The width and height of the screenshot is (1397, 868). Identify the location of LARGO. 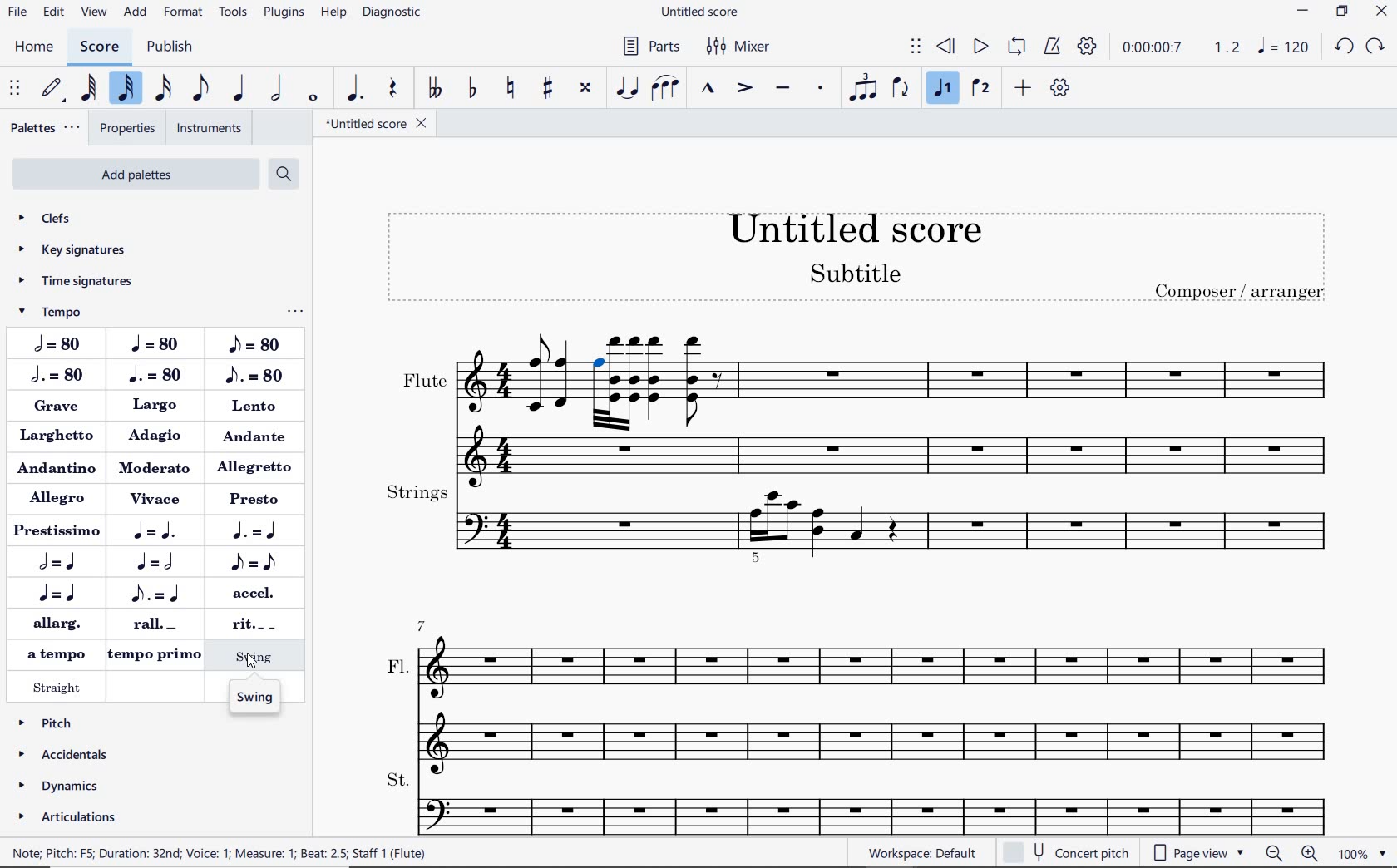
(155, 407).